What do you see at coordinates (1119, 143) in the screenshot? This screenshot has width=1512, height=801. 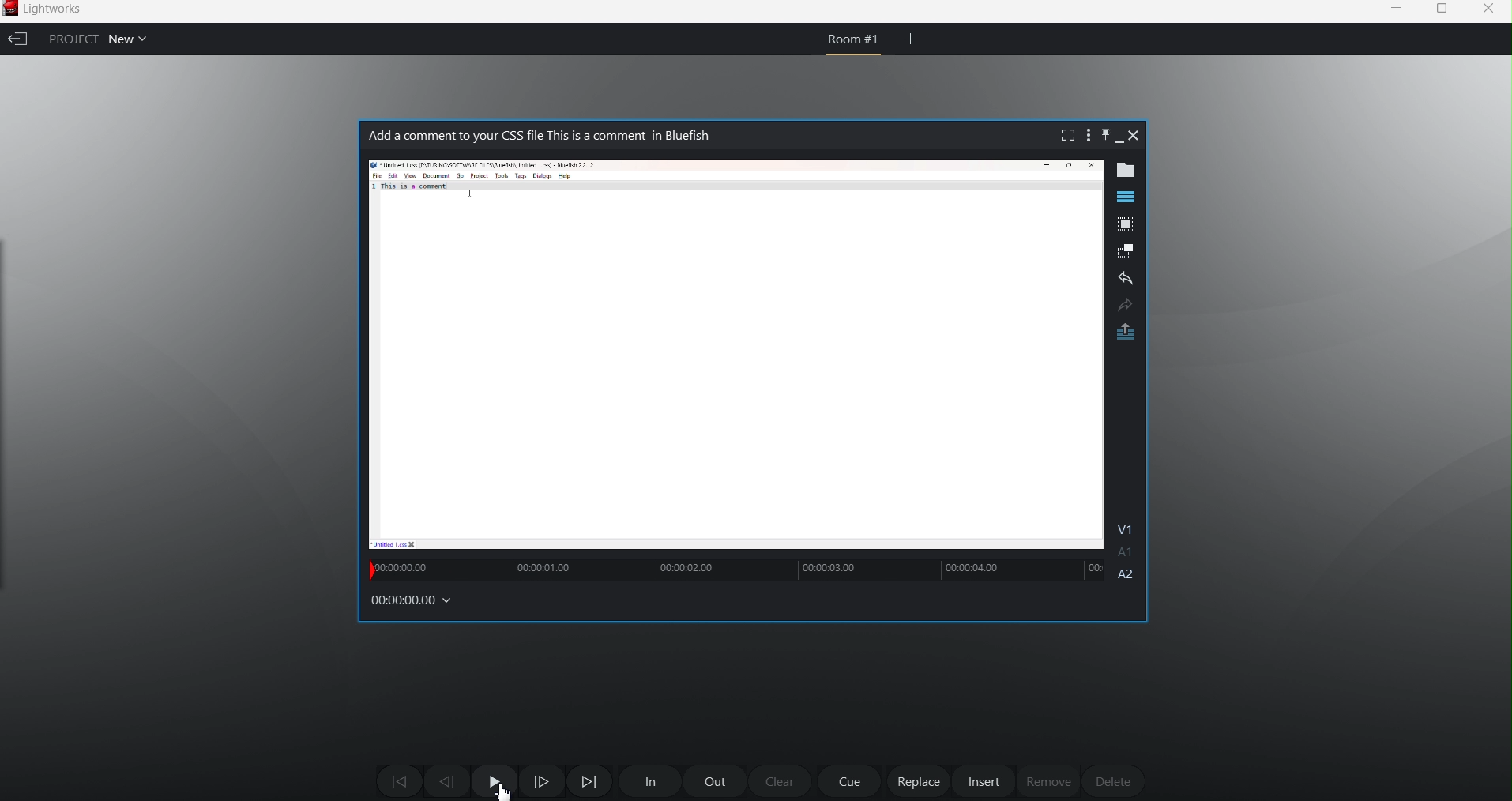 I see `minimize clip` at bounding box center [1119, 143].